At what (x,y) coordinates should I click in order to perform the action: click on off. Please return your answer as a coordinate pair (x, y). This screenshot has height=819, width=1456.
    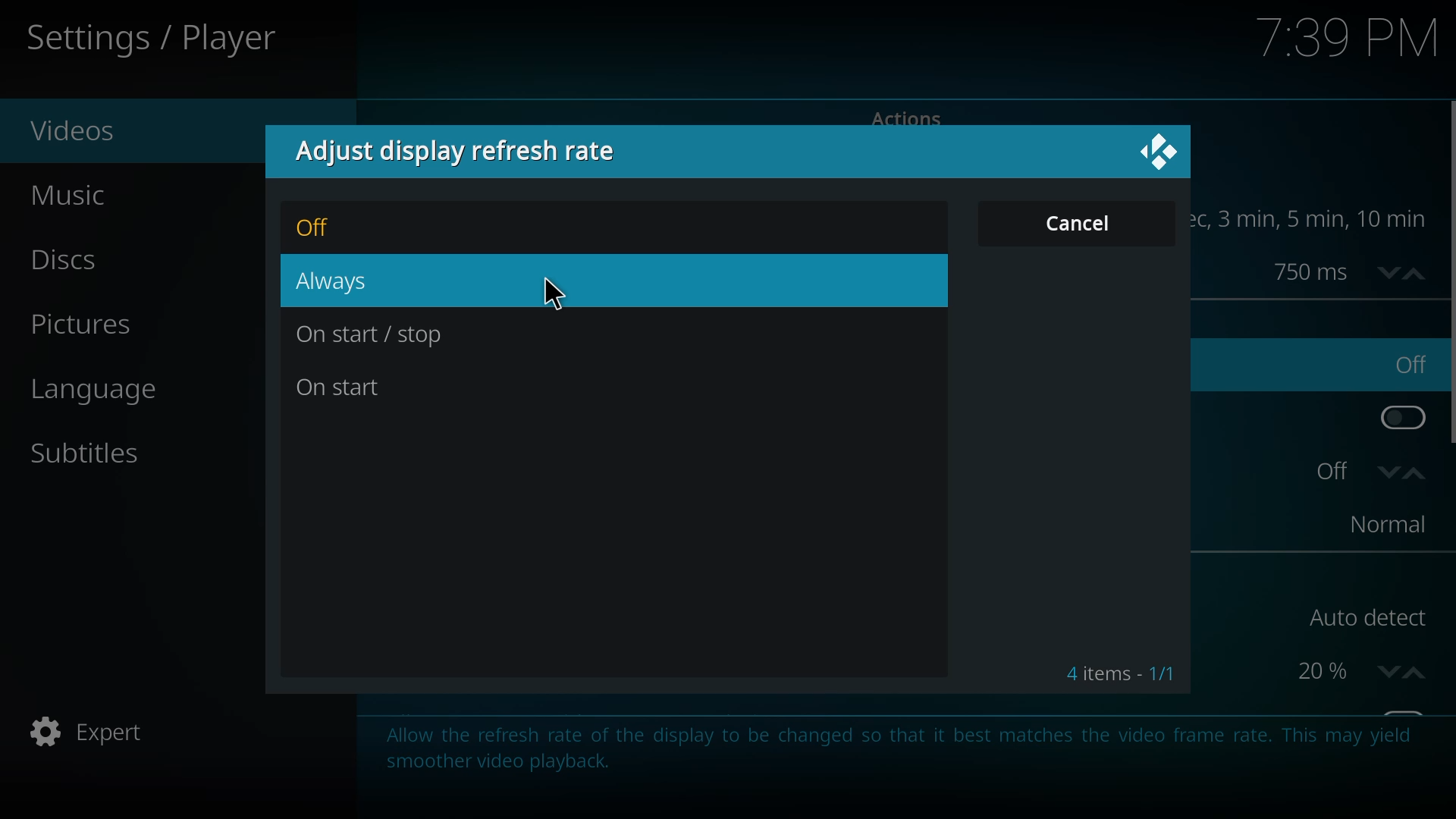
    Looking at the image, I should click on (1410, 364).